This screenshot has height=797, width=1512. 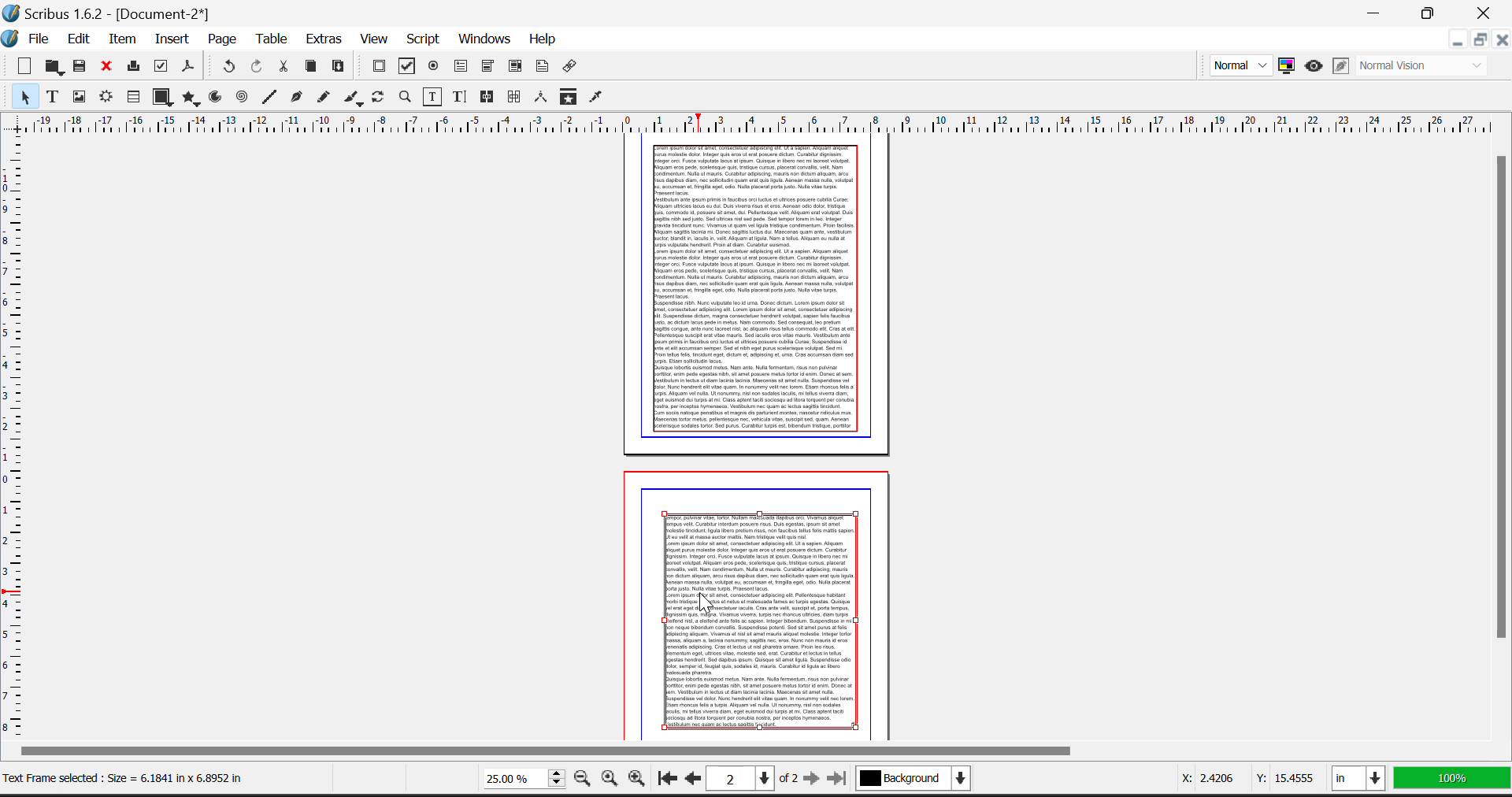 What do you see at coordinates (751, 751) in the screenshot?
I see `Scroll Bar` at bounding box center [751, 751].